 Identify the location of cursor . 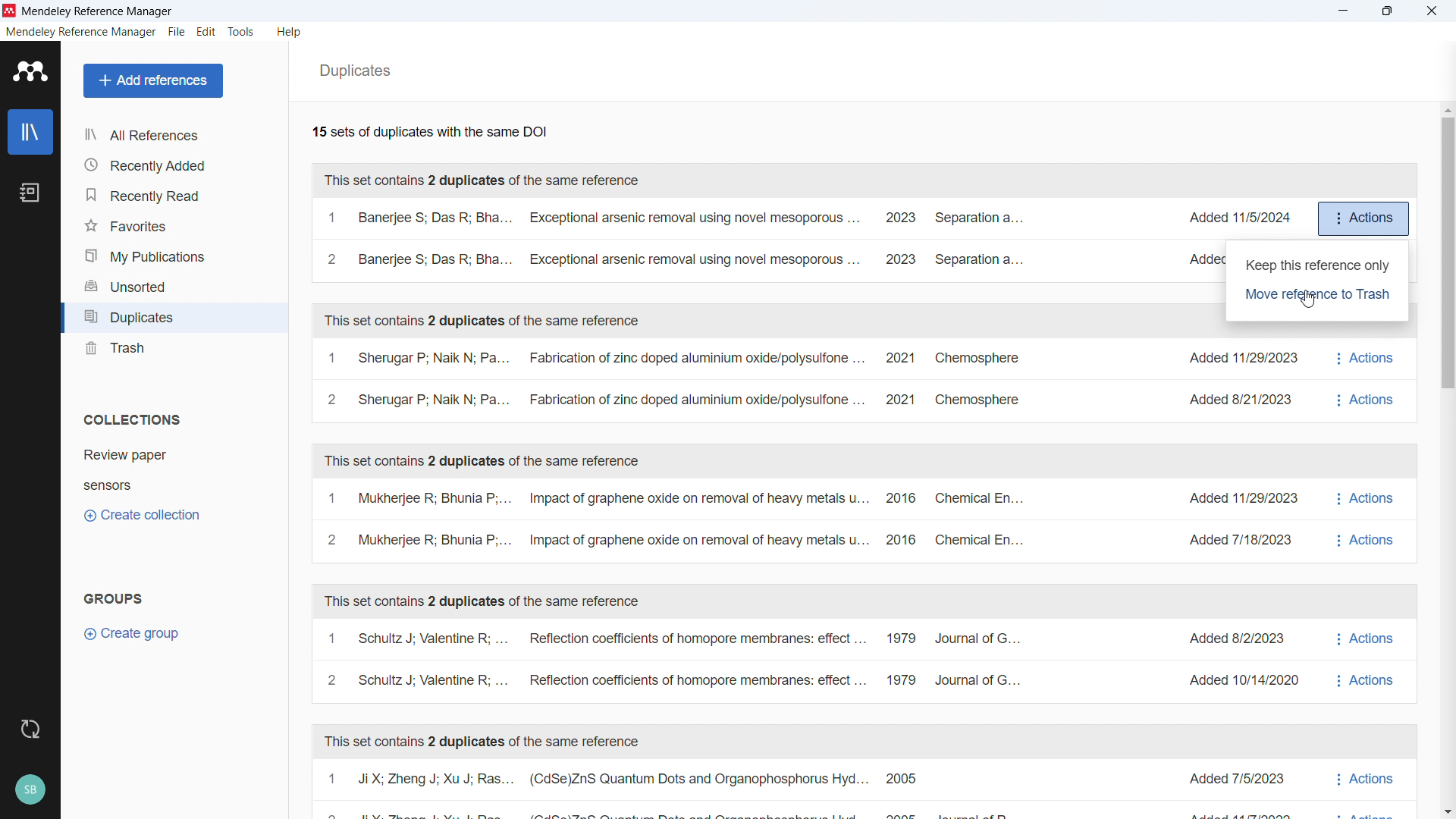
(1307, 300).